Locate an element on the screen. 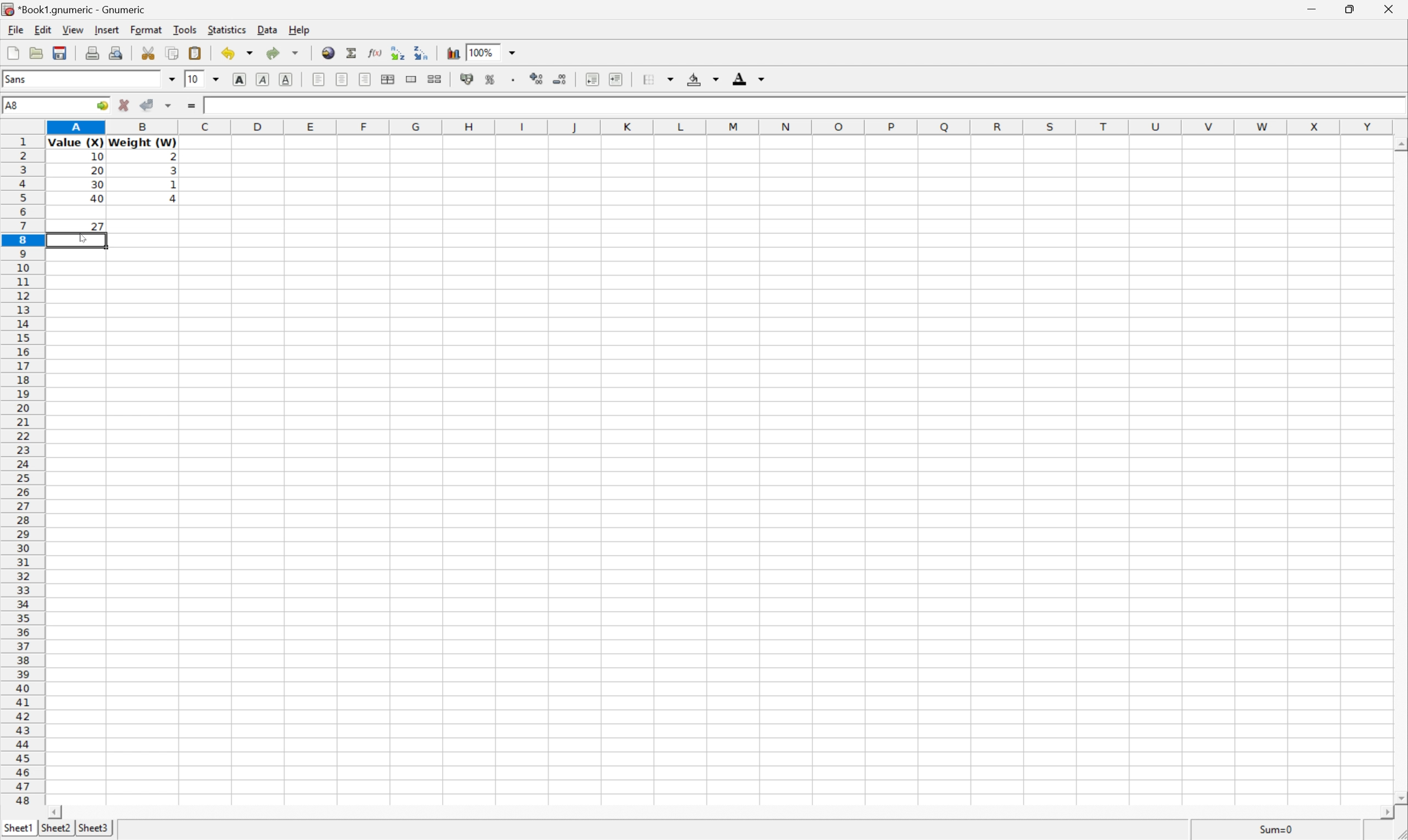  Enter formula is located at coordinates (189, 106).